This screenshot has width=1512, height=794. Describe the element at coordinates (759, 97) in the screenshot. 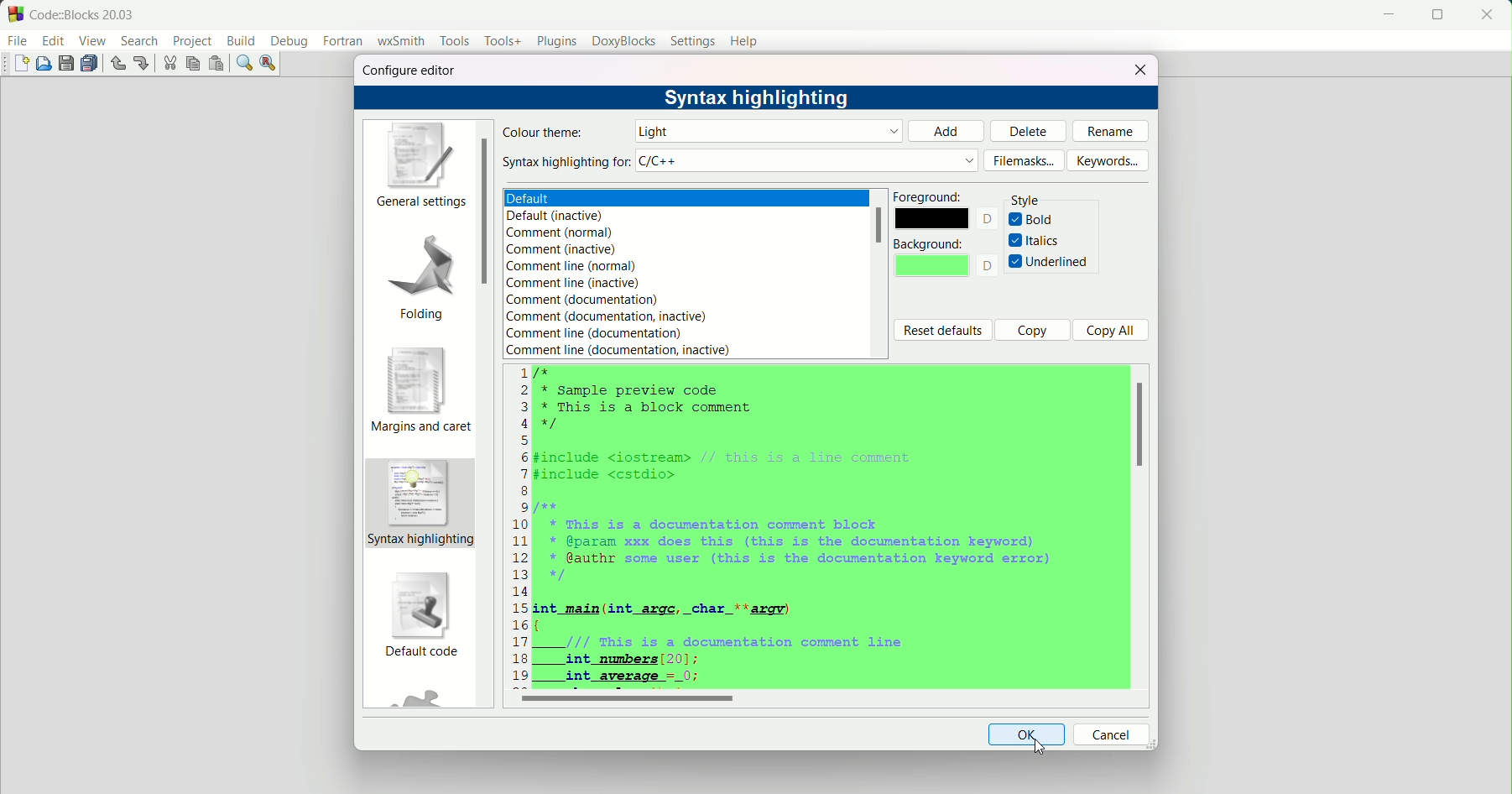

I see `syntax highlight` at that location.